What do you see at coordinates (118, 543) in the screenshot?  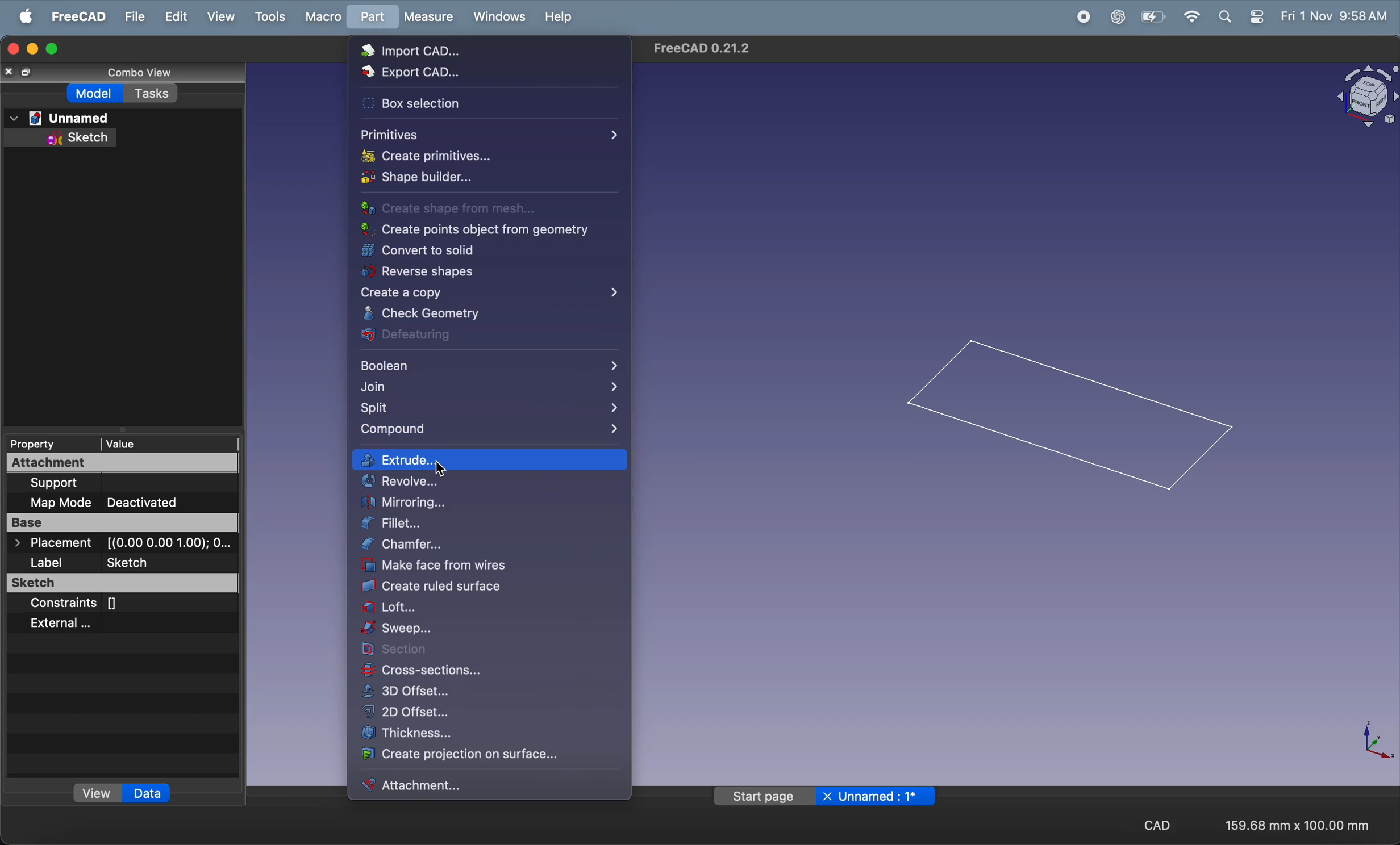 I see `placement` at bounding box center [118, 543].